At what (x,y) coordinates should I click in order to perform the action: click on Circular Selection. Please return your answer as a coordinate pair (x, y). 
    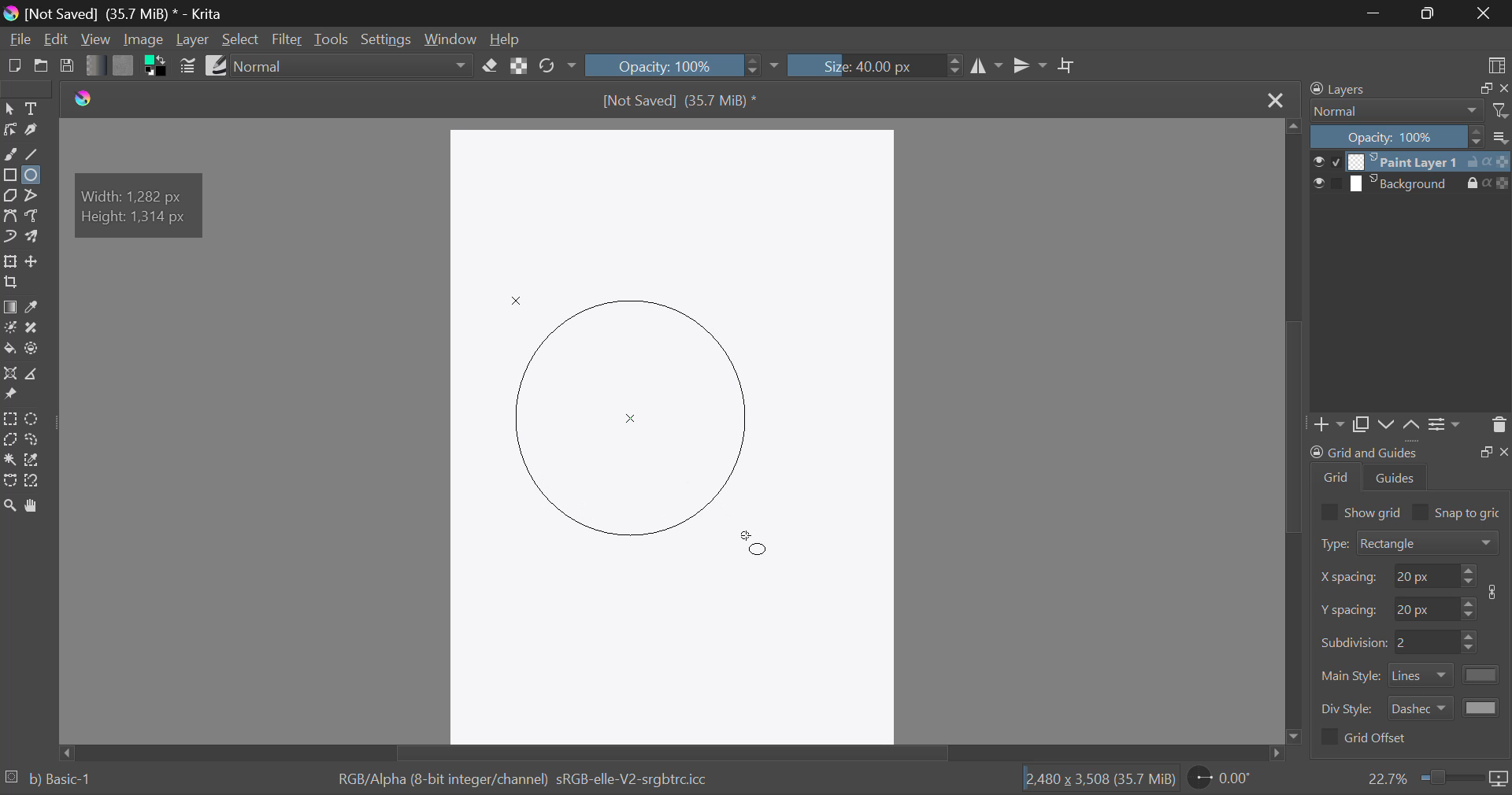
    Looking at the image, I should click on (33, 418).